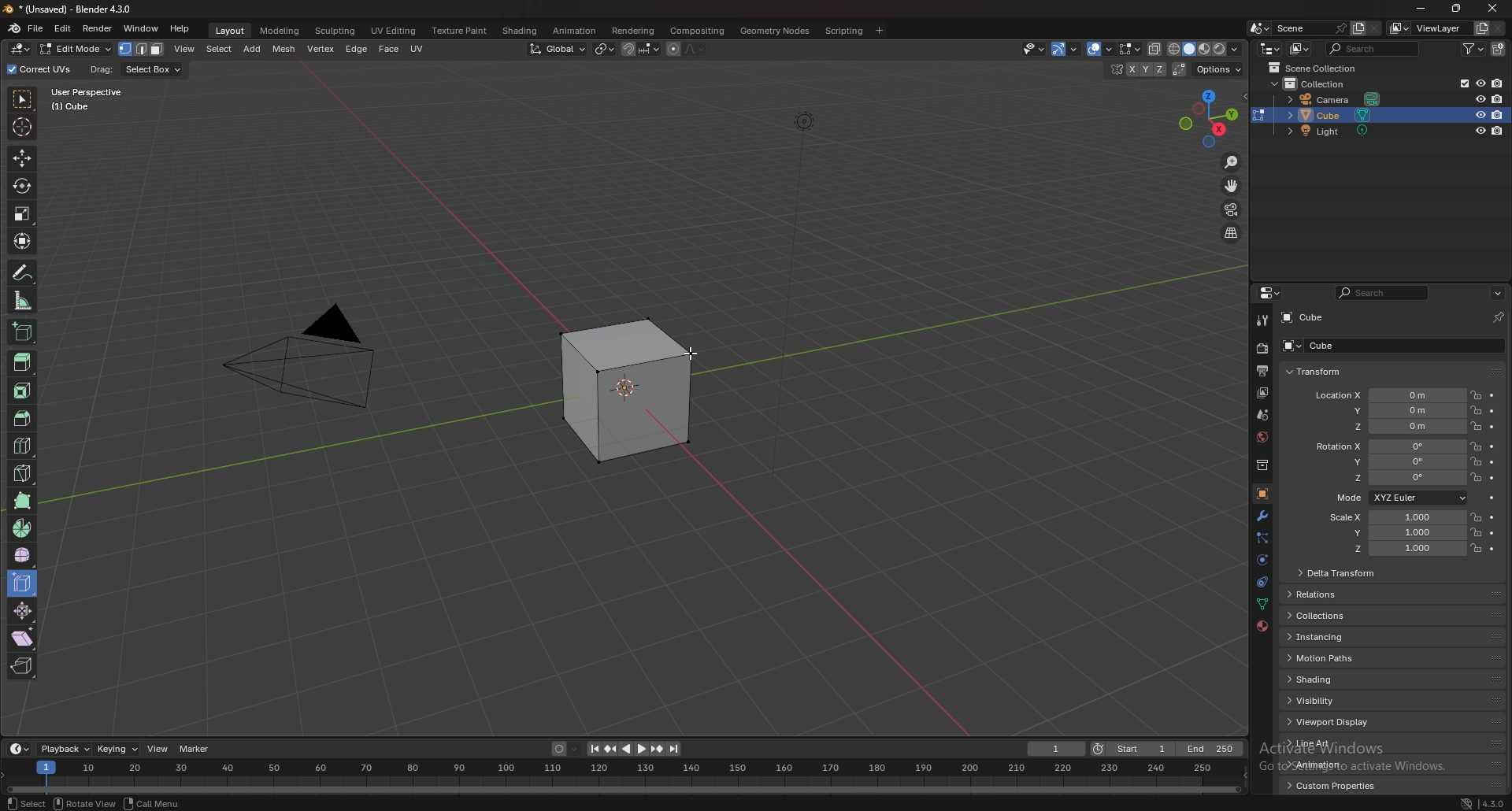  Describe the element at coordinates (1092, 49) in the screenshot. I see `show gizmo` at that location.